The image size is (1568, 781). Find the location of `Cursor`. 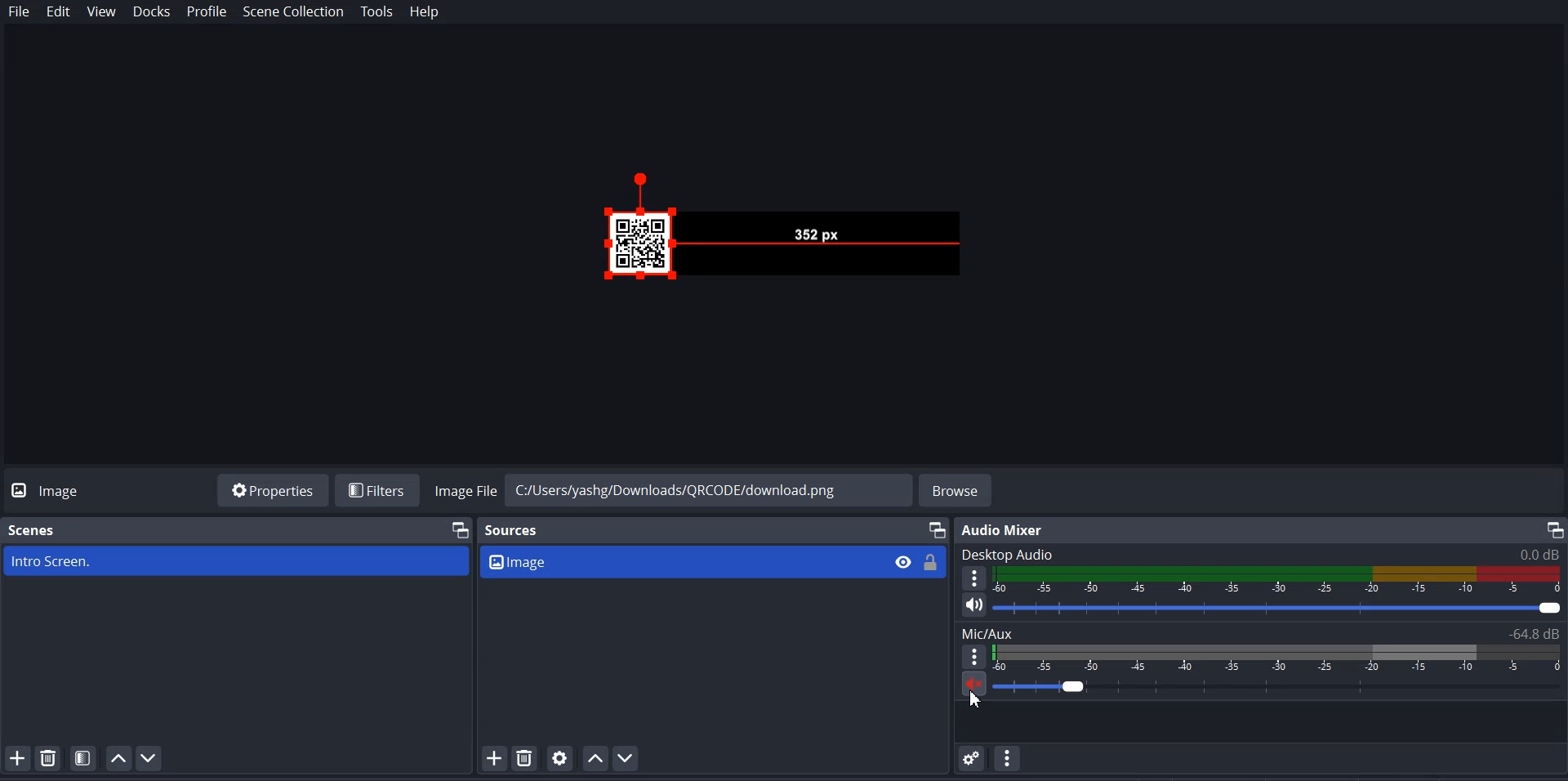

Cursor is located at coordinates (975, 698).